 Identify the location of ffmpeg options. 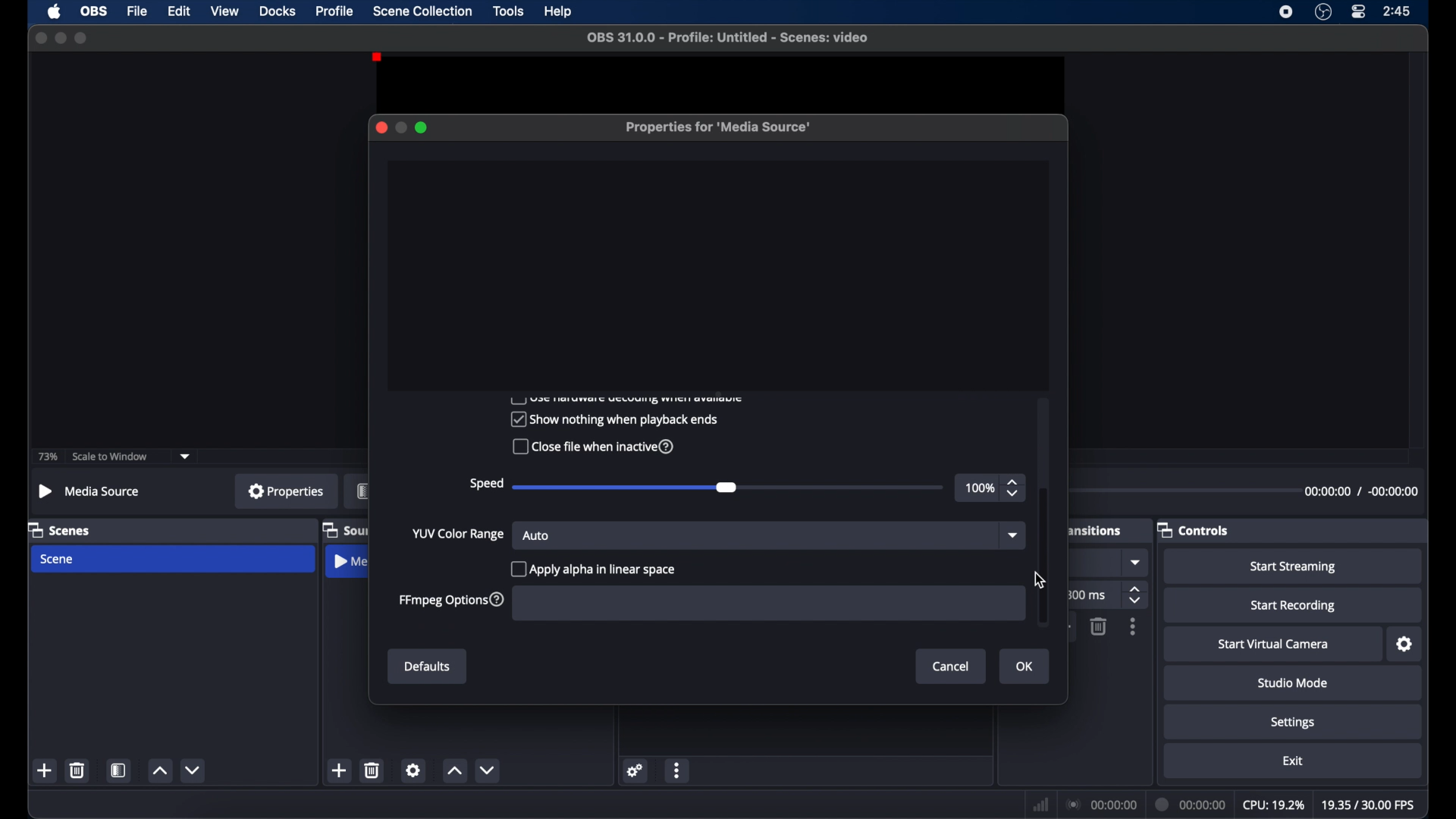
(451, 601).